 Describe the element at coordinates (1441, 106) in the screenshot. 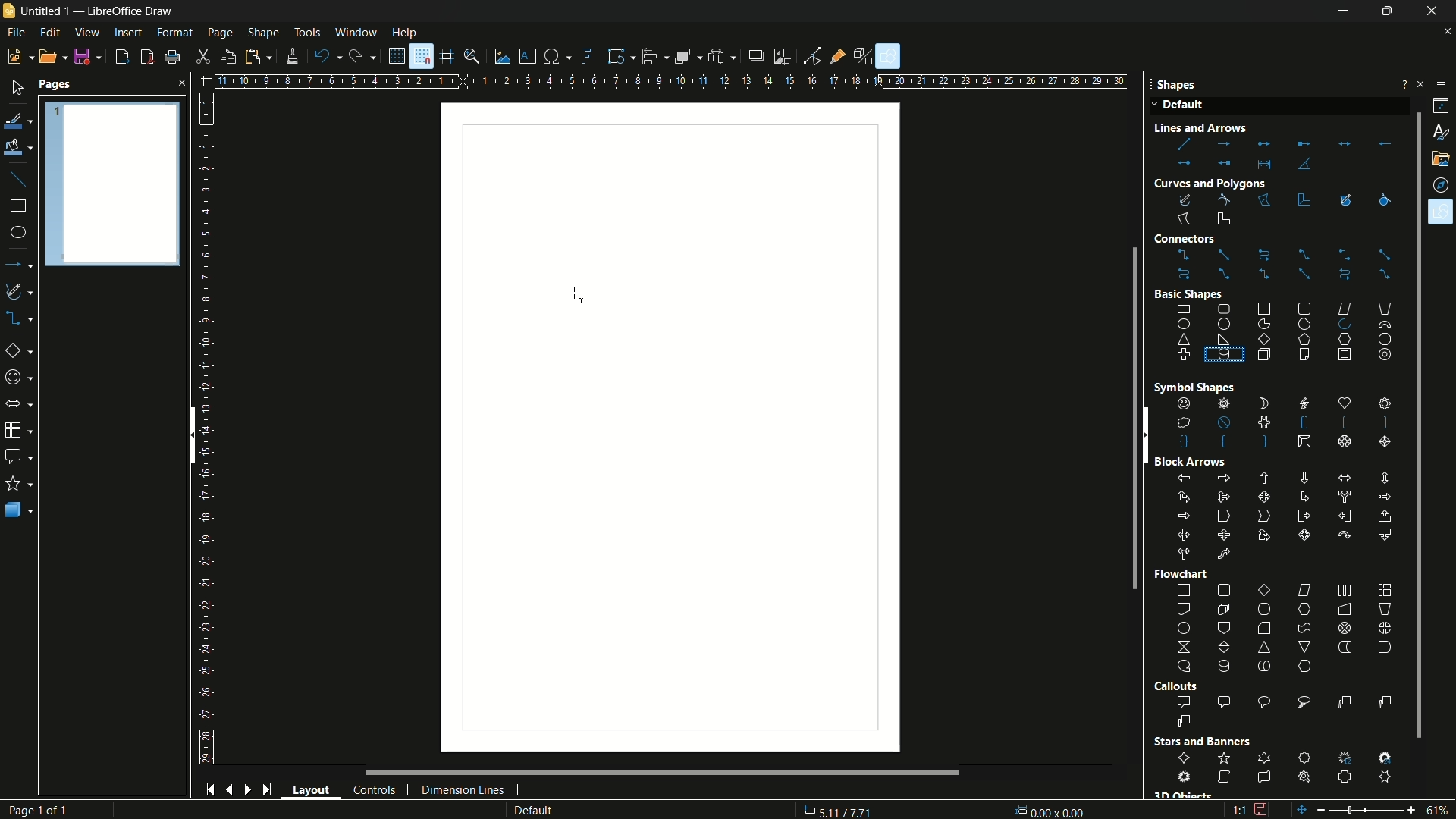

I see `properties` at that location.